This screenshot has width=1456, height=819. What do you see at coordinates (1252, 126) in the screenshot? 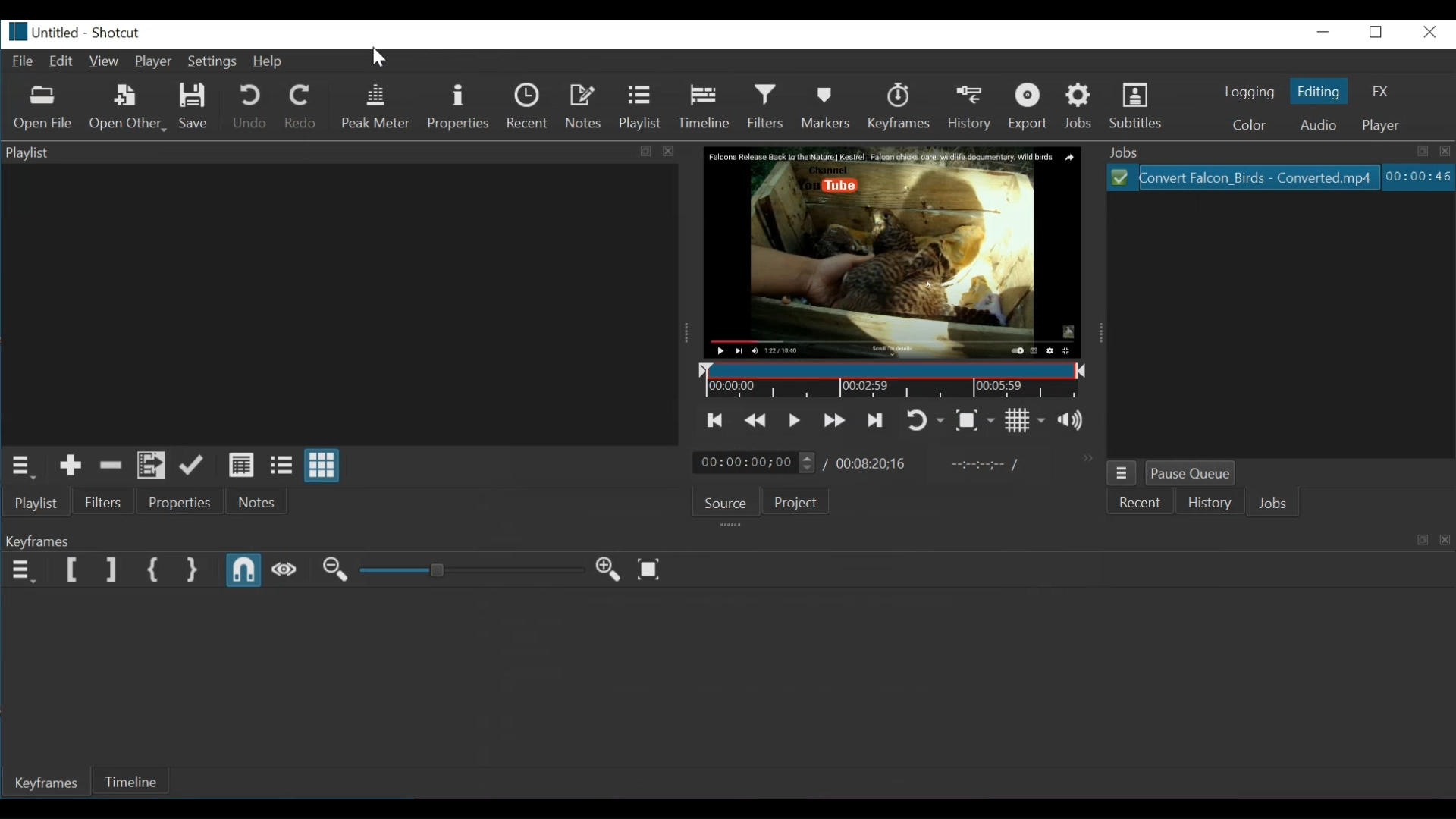
I see `color` at bounding box center [1252, 126].